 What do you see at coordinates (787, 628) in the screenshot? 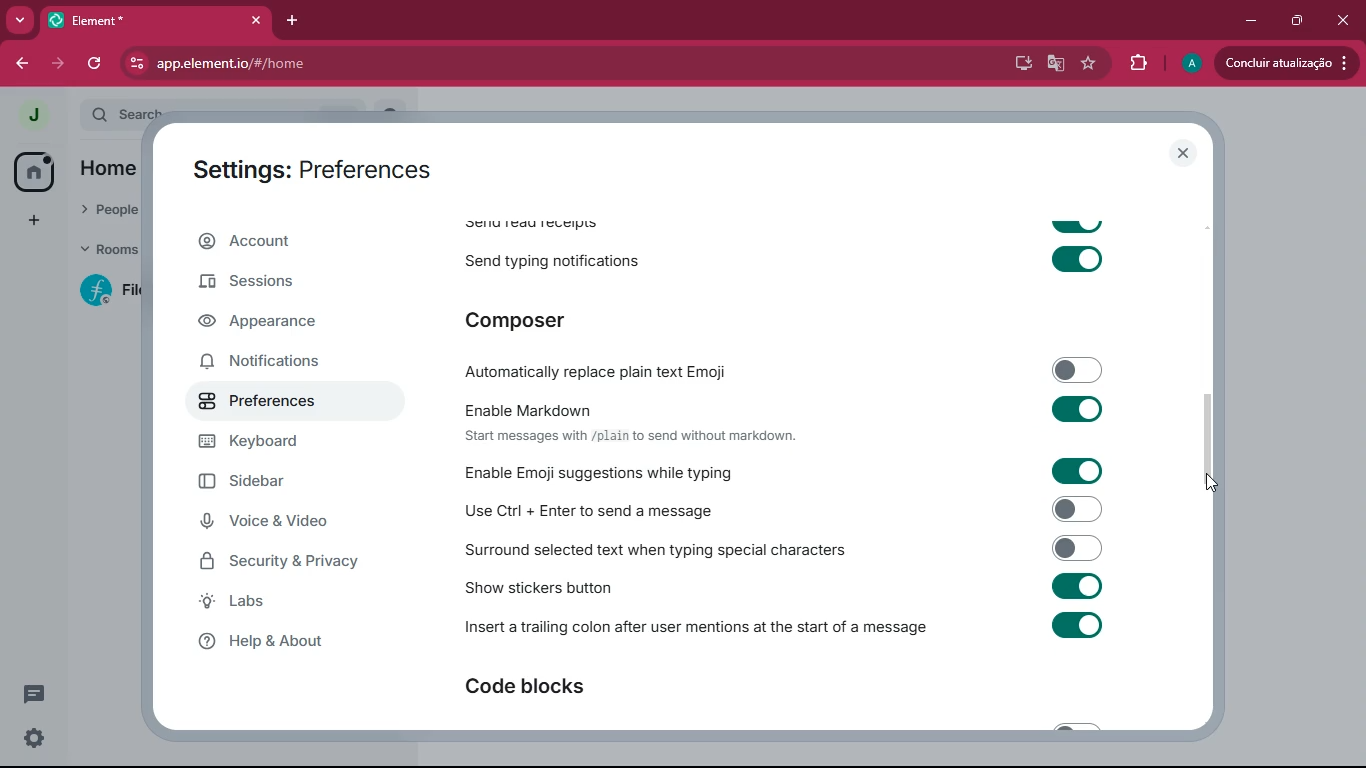
I see `insert trailing` at bounding box center [787, 628].